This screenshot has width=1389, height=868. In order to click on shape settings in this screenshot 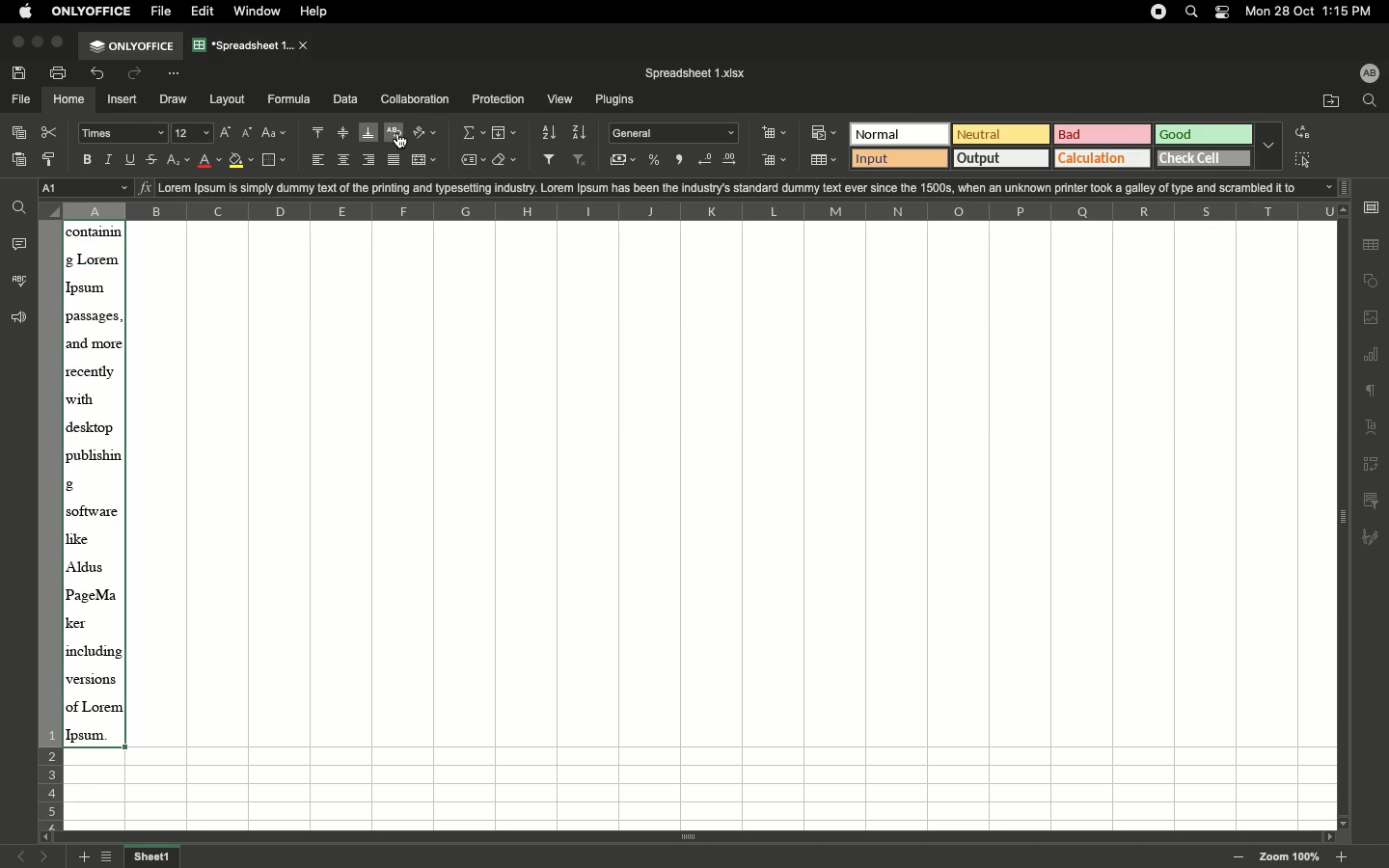, I will do `click(1371, 283)`.